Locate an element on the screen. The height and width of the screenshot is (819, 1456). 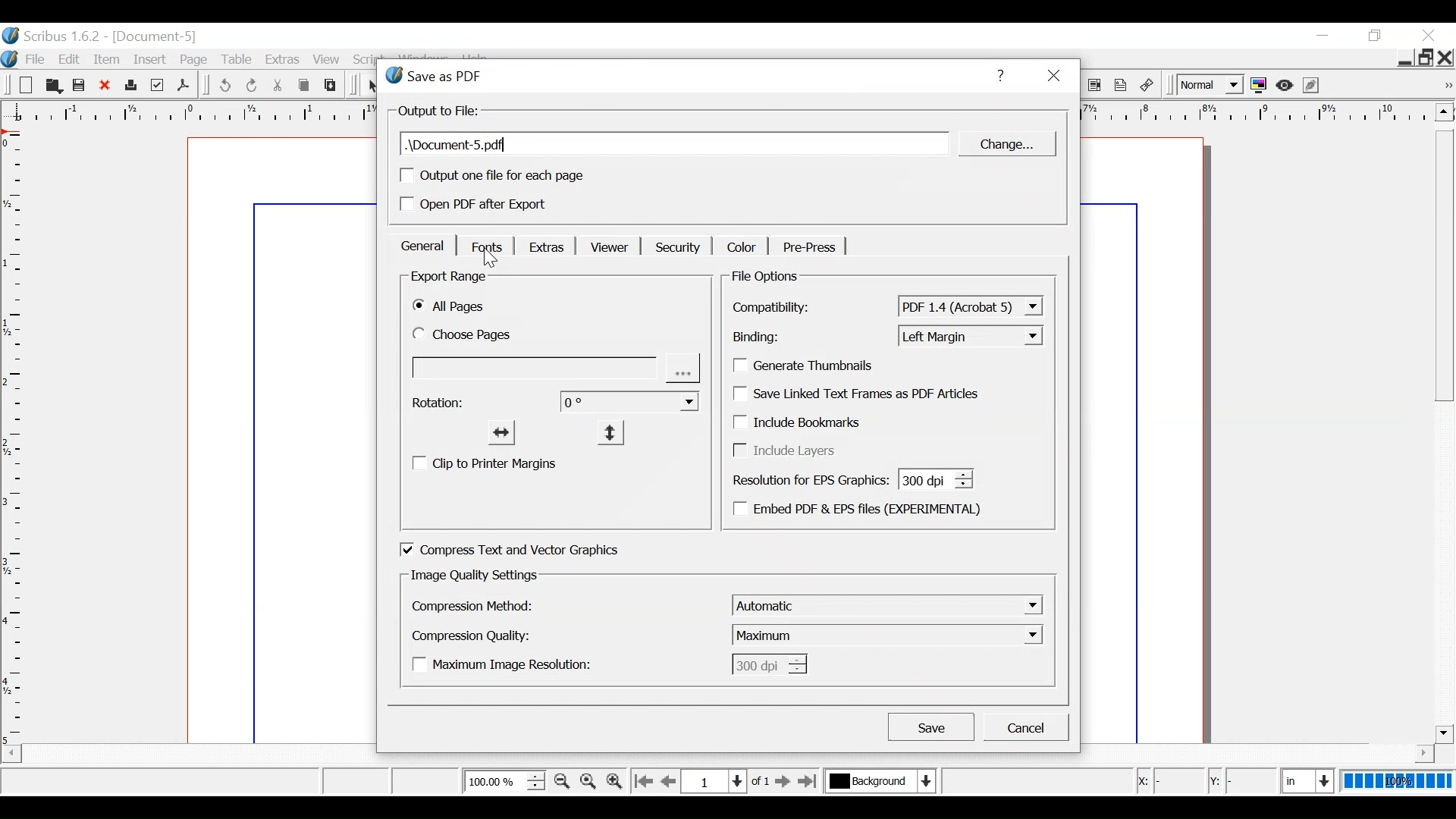
Compression method is located at coordinates (472, 606).